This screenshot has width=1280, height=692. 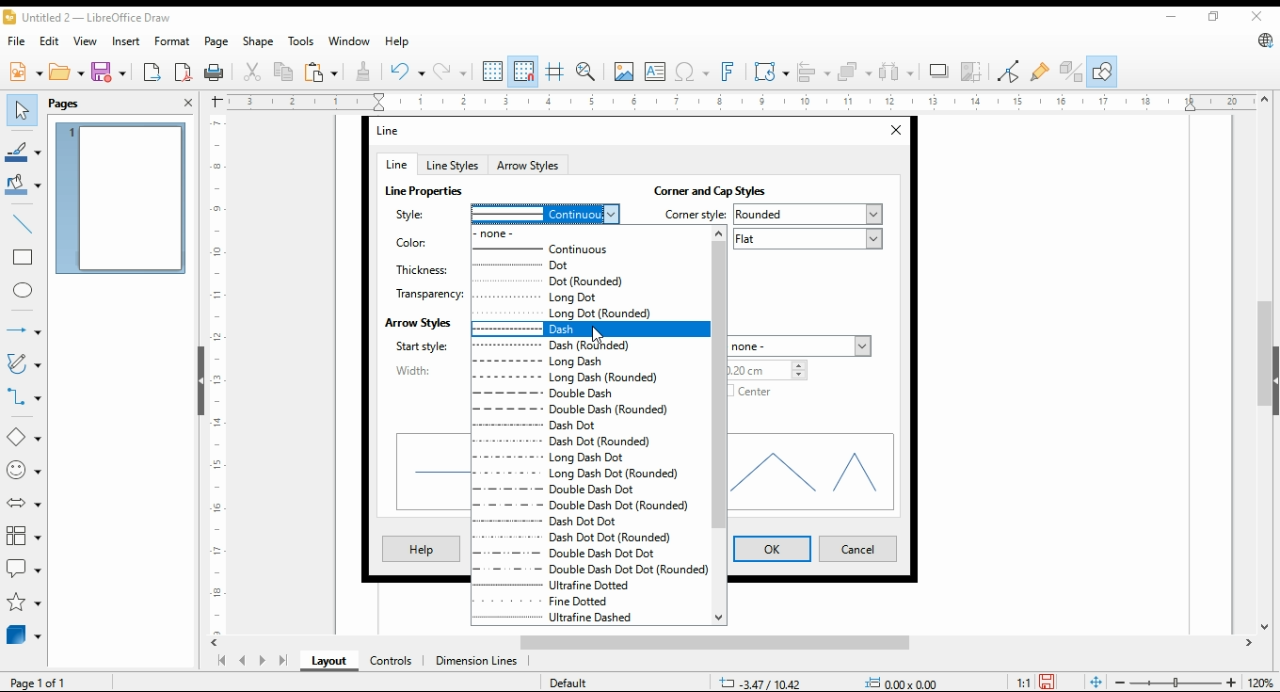 I want to click on flowchart, so click(x=25, y=536).